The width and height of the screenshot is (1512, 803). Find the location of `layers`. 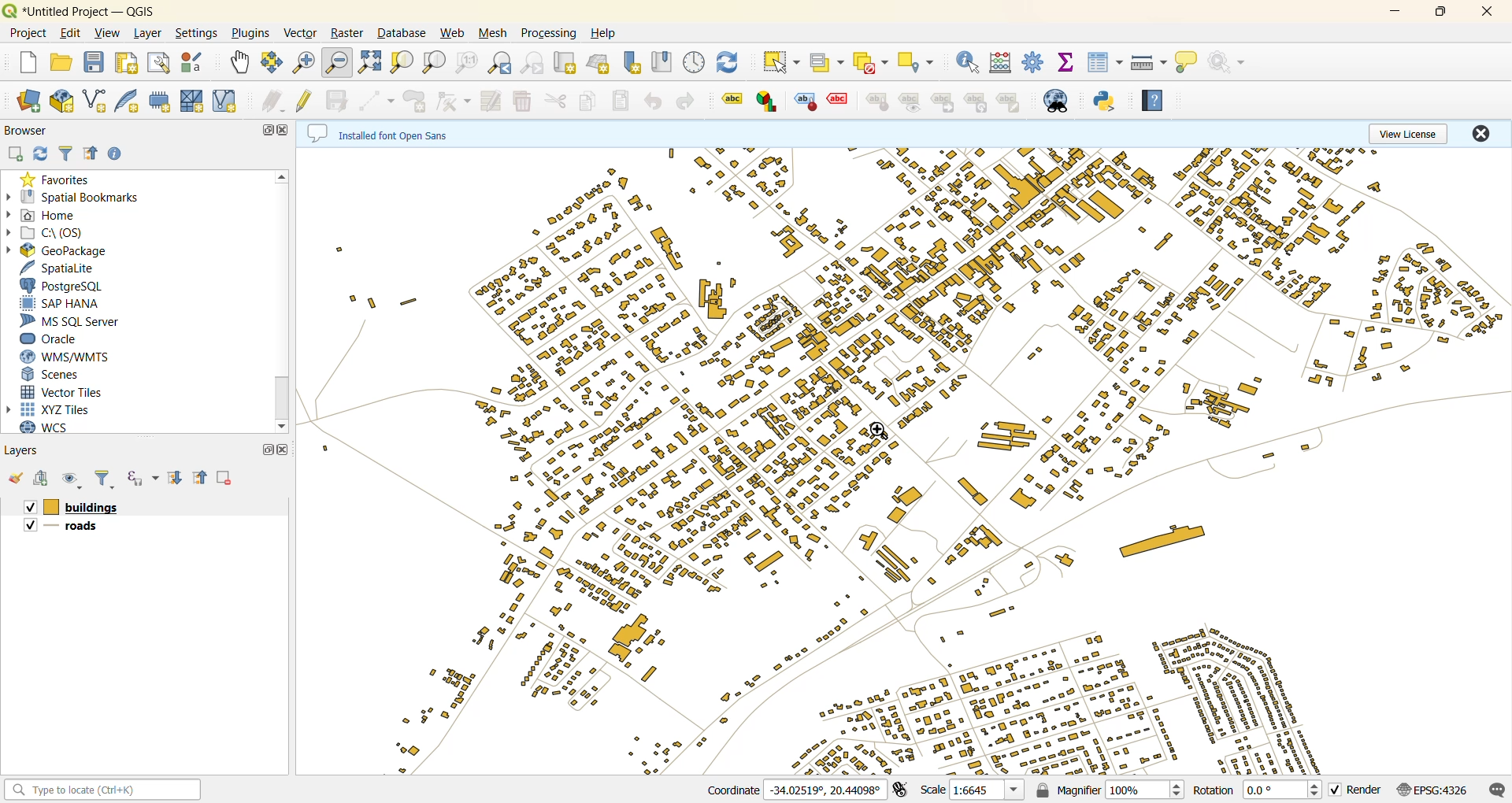

layers is located at coordinates (73, 506).